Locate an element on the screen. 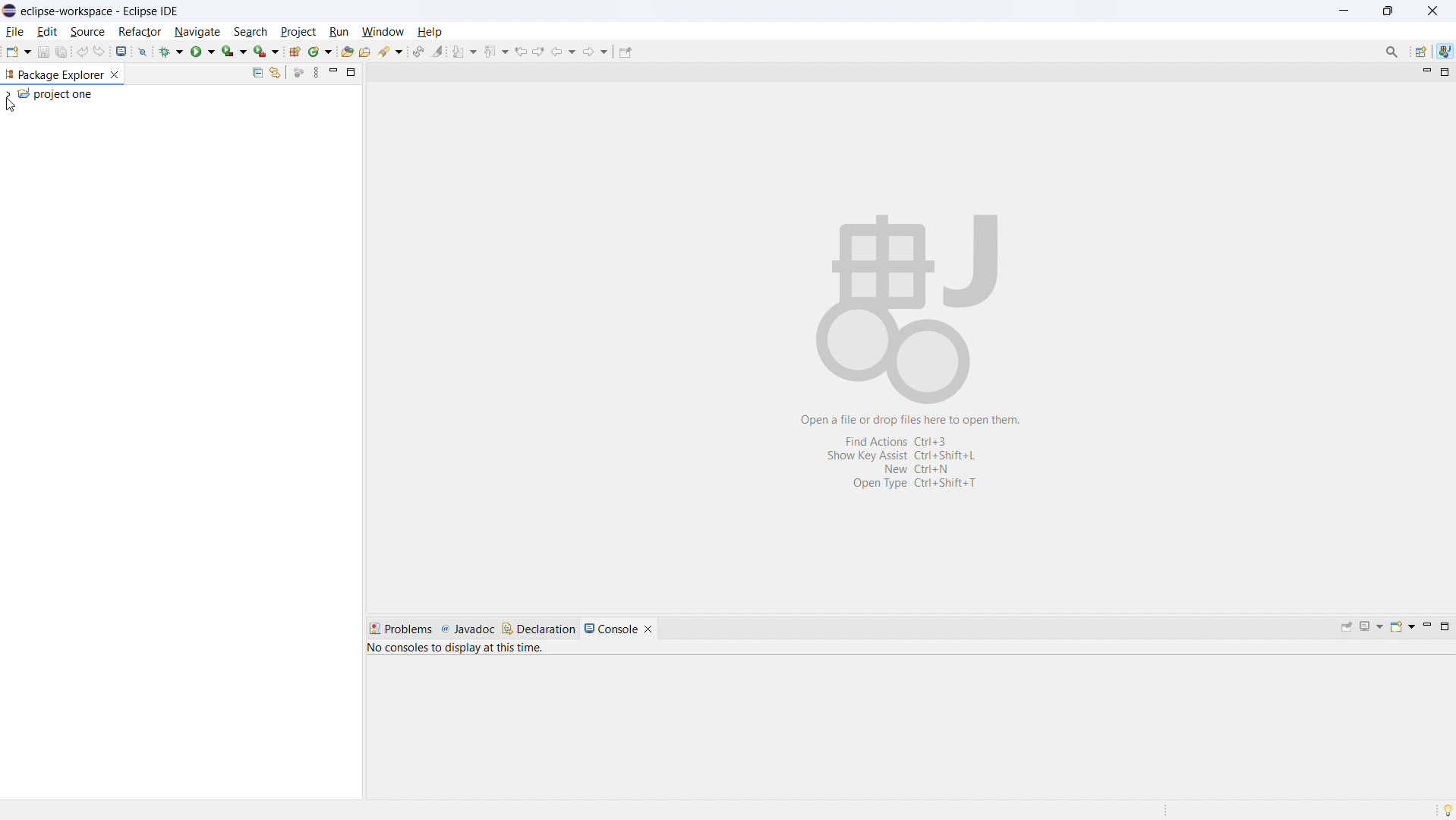 This screenshot has height=820, width=1456. Open a file or drop files here to open them.
Find Actions Ctrl+3
Show Key Assist Ctrl+Shift+L
New Ctri+N
OpenType Ctri+ShiftsT is located at coordinates (916, 456).